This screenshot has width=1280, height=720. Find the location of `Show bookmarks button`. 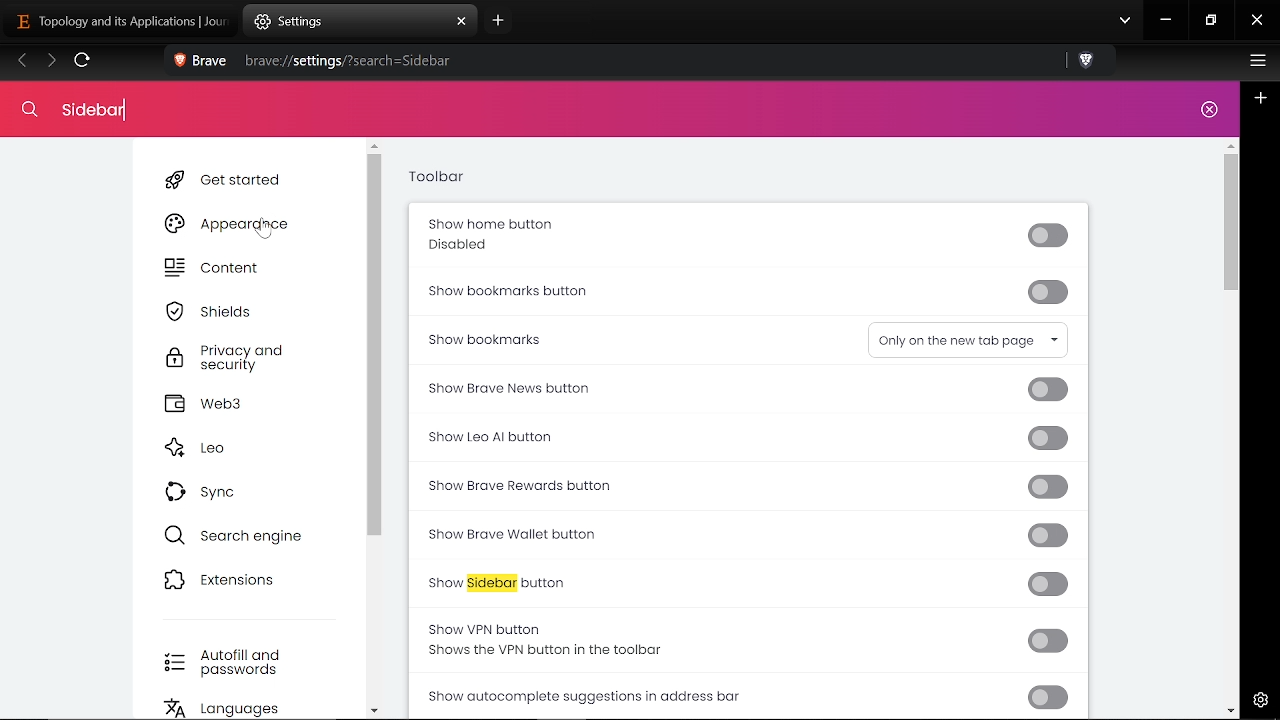

Show bookmarks button is located at coordinates (746, 293).